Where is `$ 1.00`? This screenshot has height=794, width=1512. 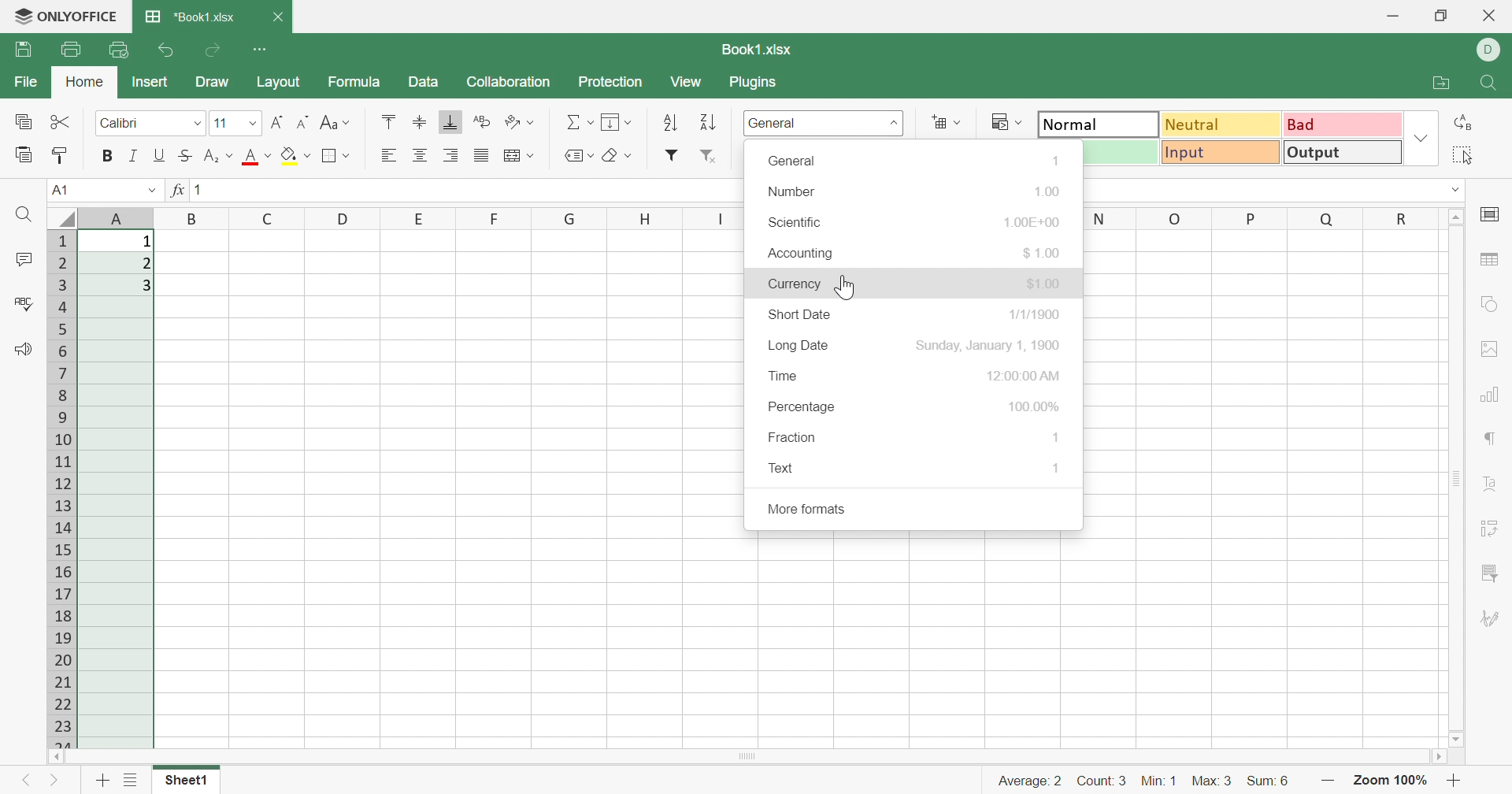 $ 1.00 is located at coordinates (1044, 253).